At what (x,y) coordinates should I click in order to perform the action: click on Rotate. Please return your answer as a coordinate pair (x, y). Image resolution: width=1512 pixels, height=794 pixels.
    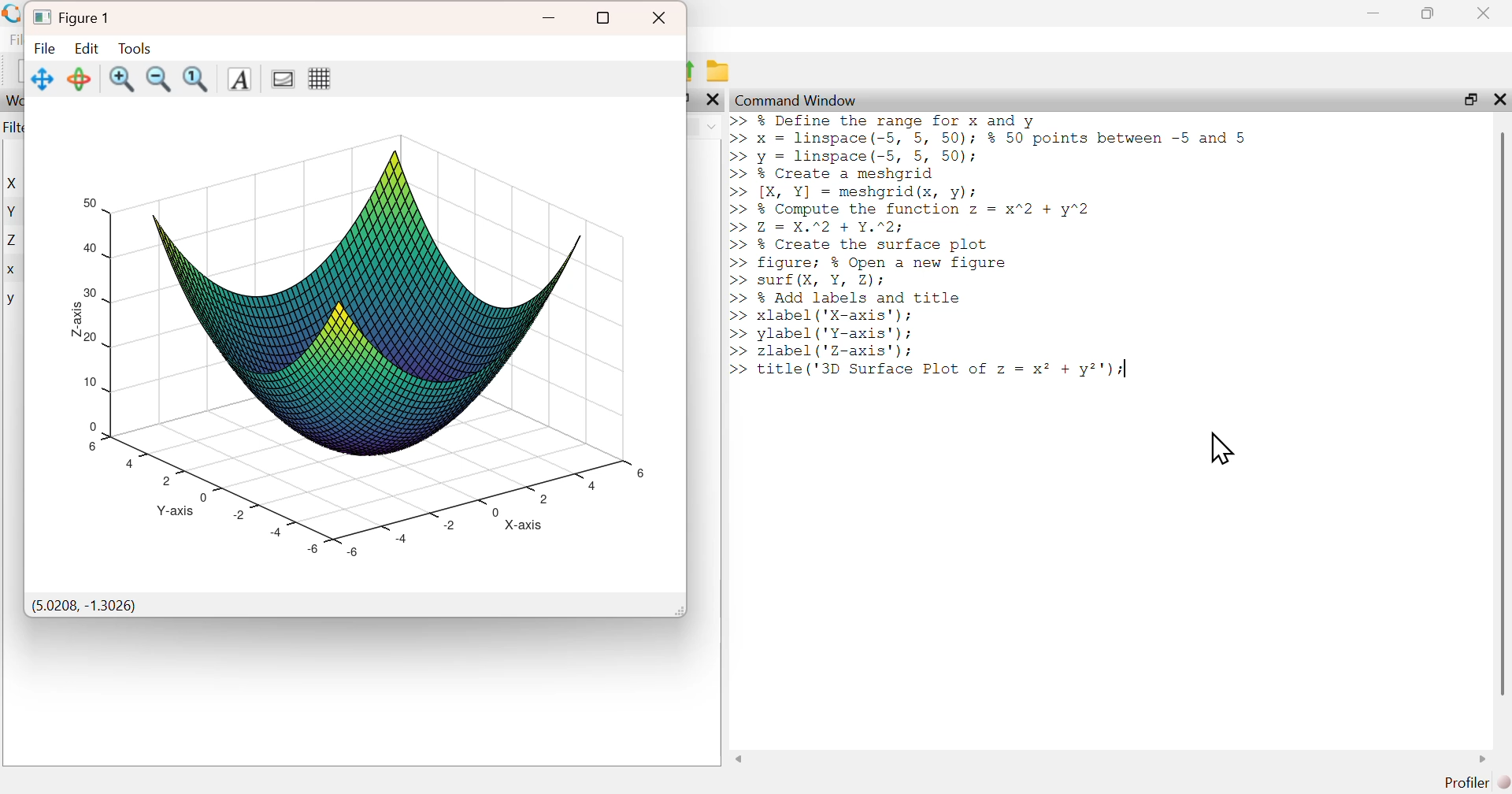
    Looking at the image, I should click on (80, 79).